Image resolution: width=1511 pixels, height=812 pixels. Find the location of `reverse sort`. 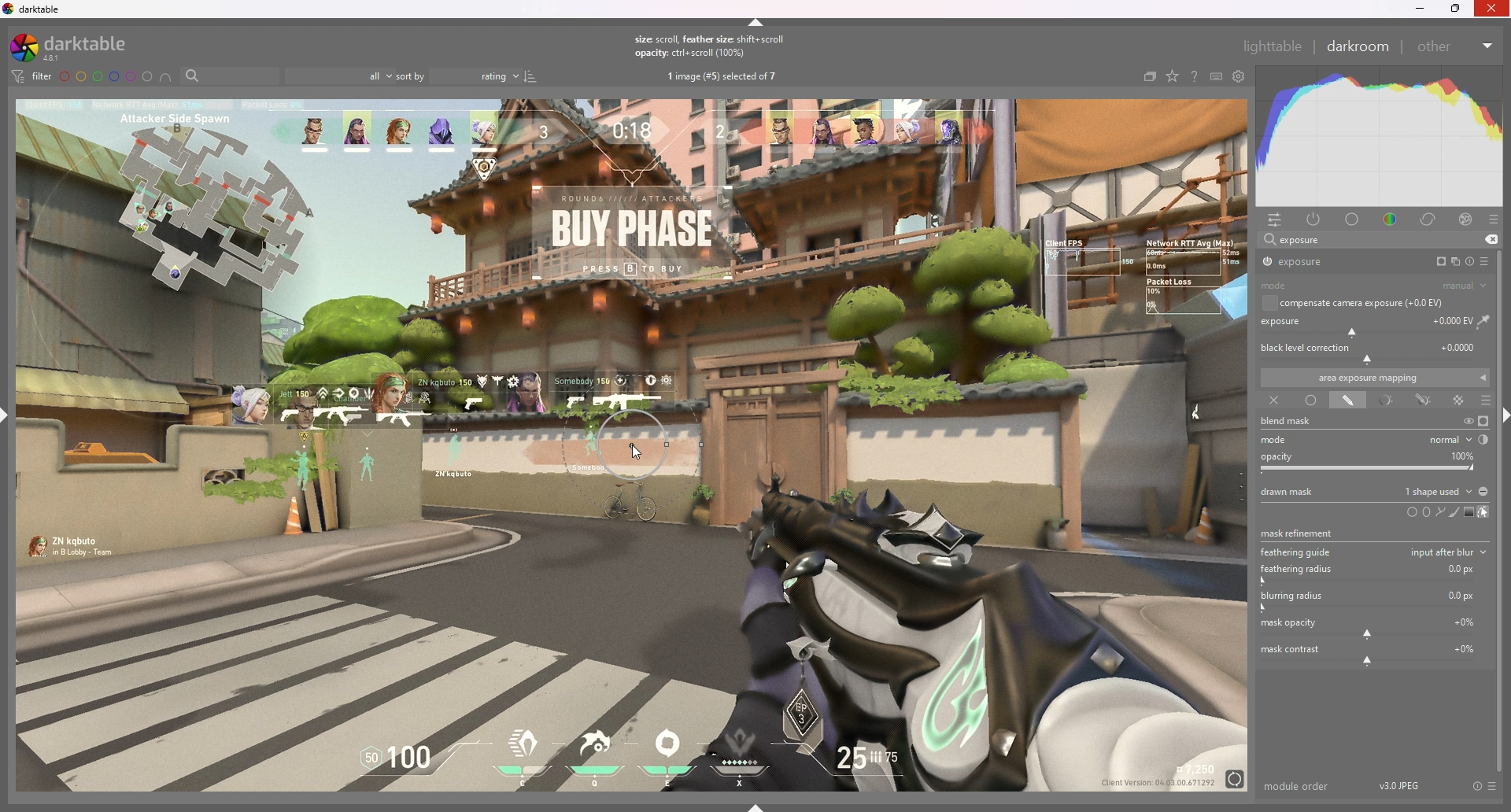

reverse sort is located at coordinates (531, 76).